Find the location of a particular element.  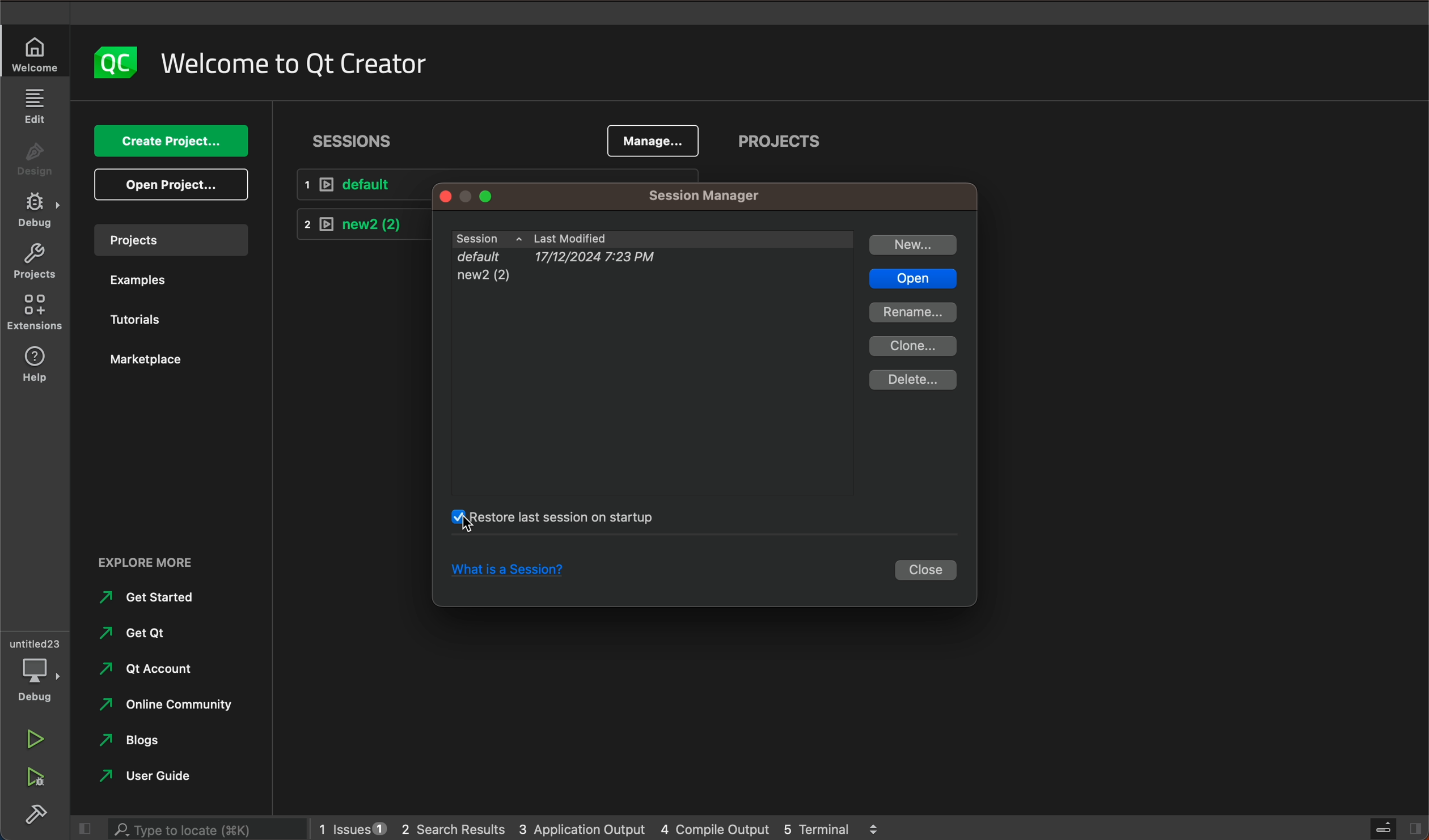

window tags is located at coordinates (480, 196).